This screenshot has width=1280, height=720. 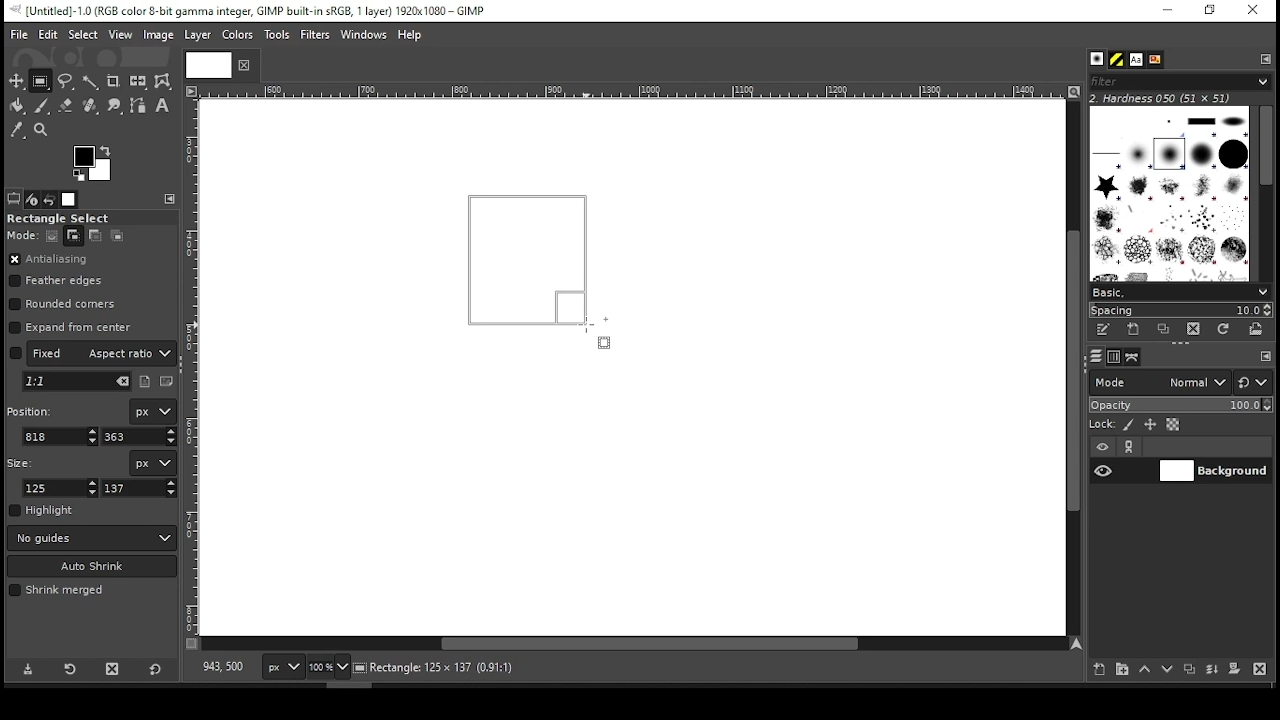 I want to click on paint bucket tool, so click(x=18, y=105).